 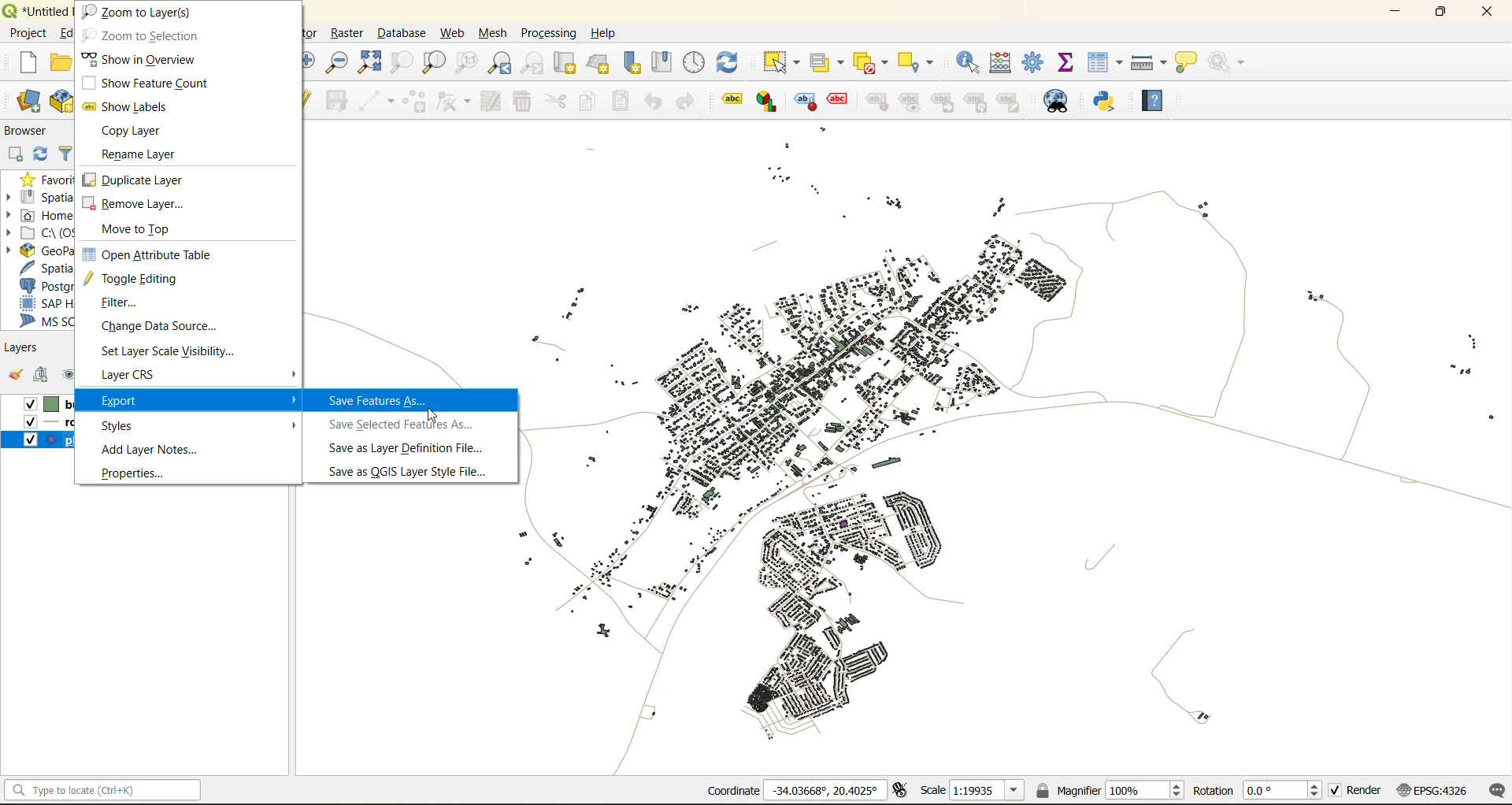 I want to click on zoom selection, so click(x=400, y=63).